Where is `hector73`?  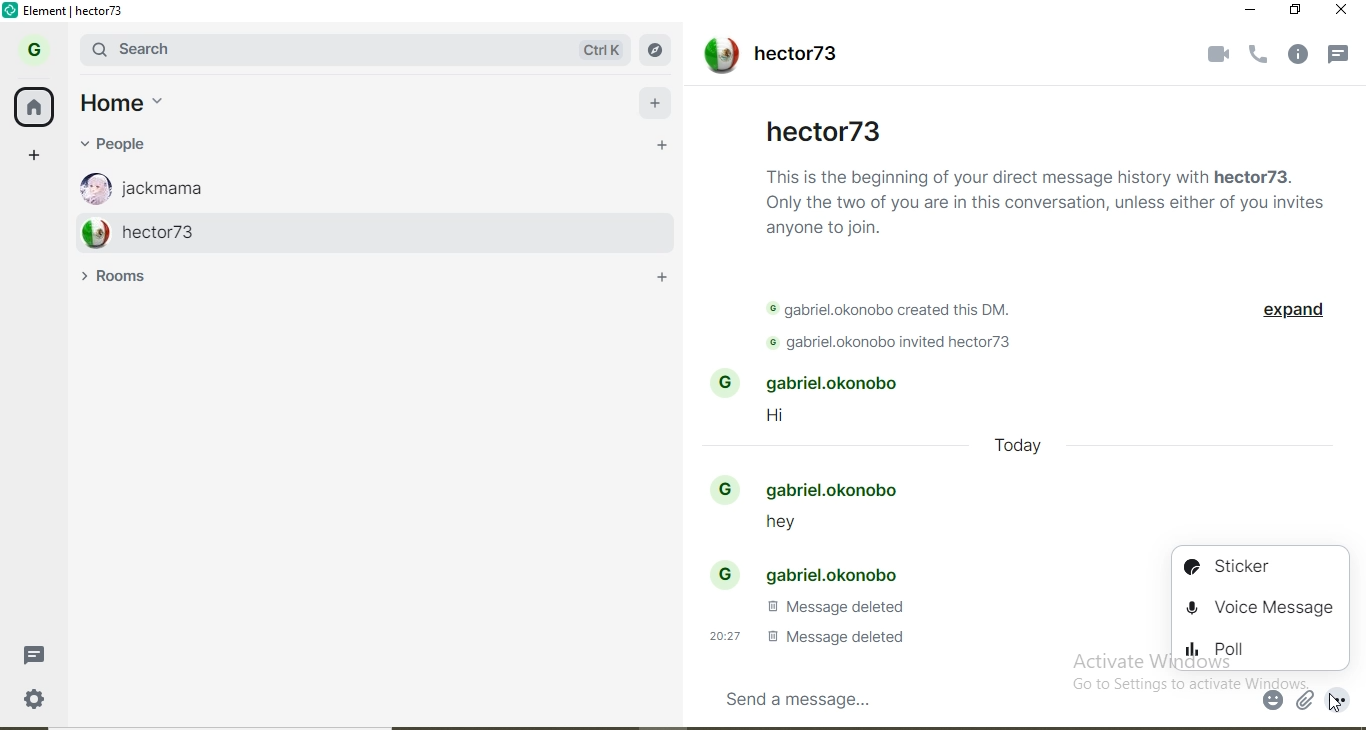
hector73 is located at coordinates (356, 231).